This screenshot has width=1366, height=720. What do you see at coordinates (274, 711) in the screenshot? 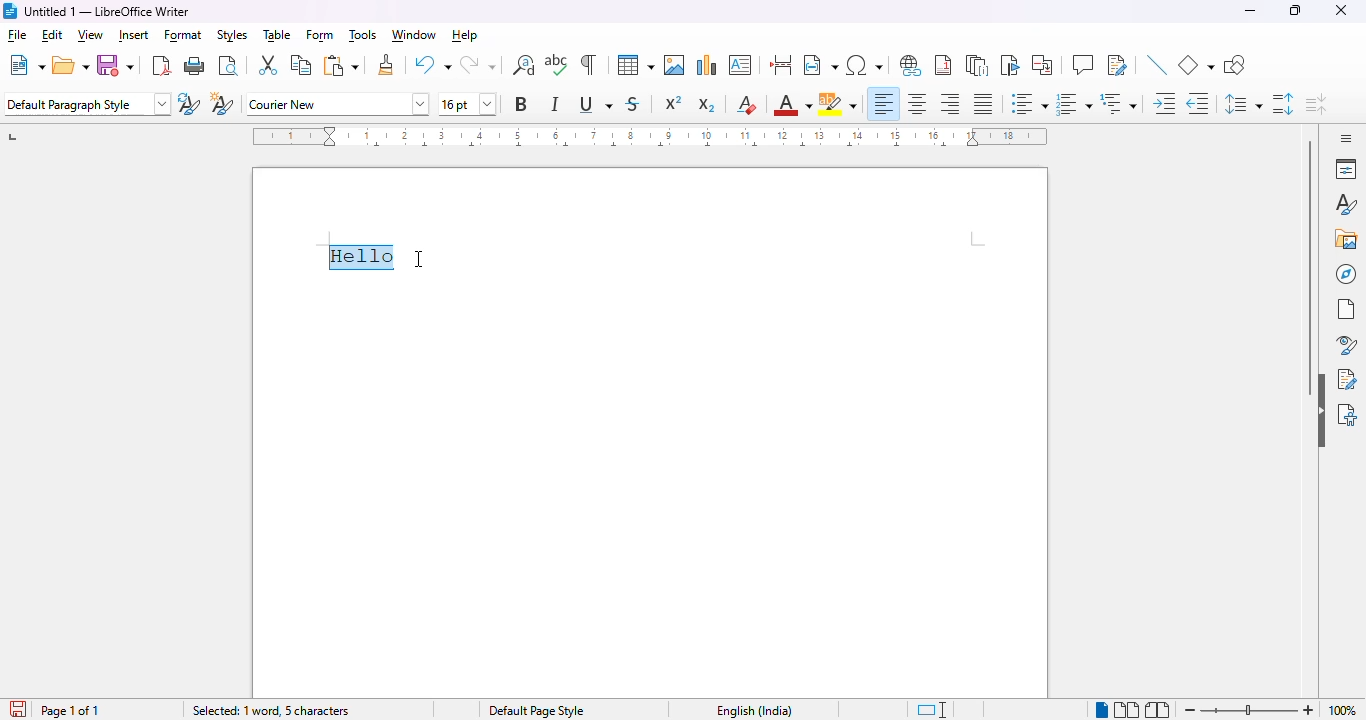
I see `word and character count` at bounding box center [274, 711].